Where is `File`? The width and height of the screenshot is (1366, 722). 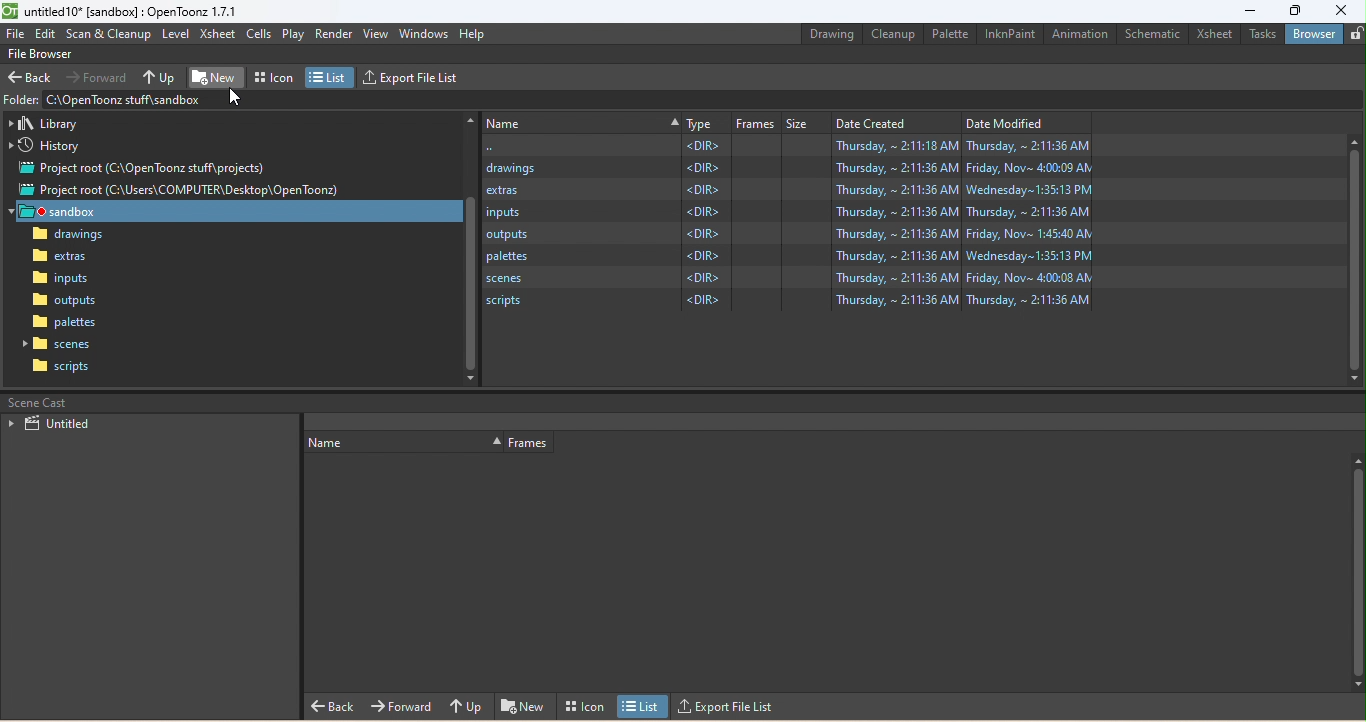
File is located at coordinates (16, 35).